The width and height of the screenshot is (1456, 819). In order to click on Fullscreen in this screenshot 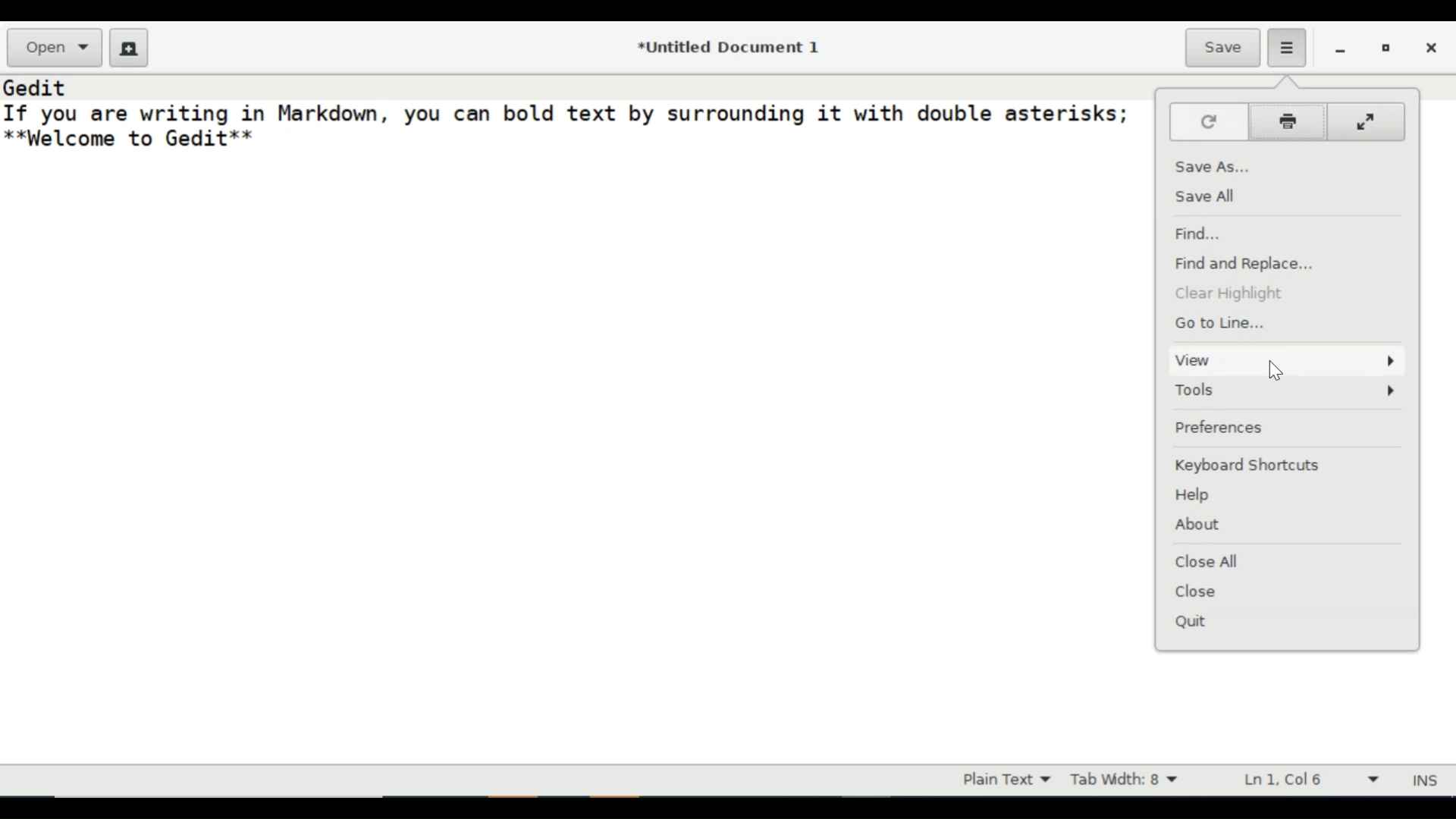, I will do `click(1369, 121)`.